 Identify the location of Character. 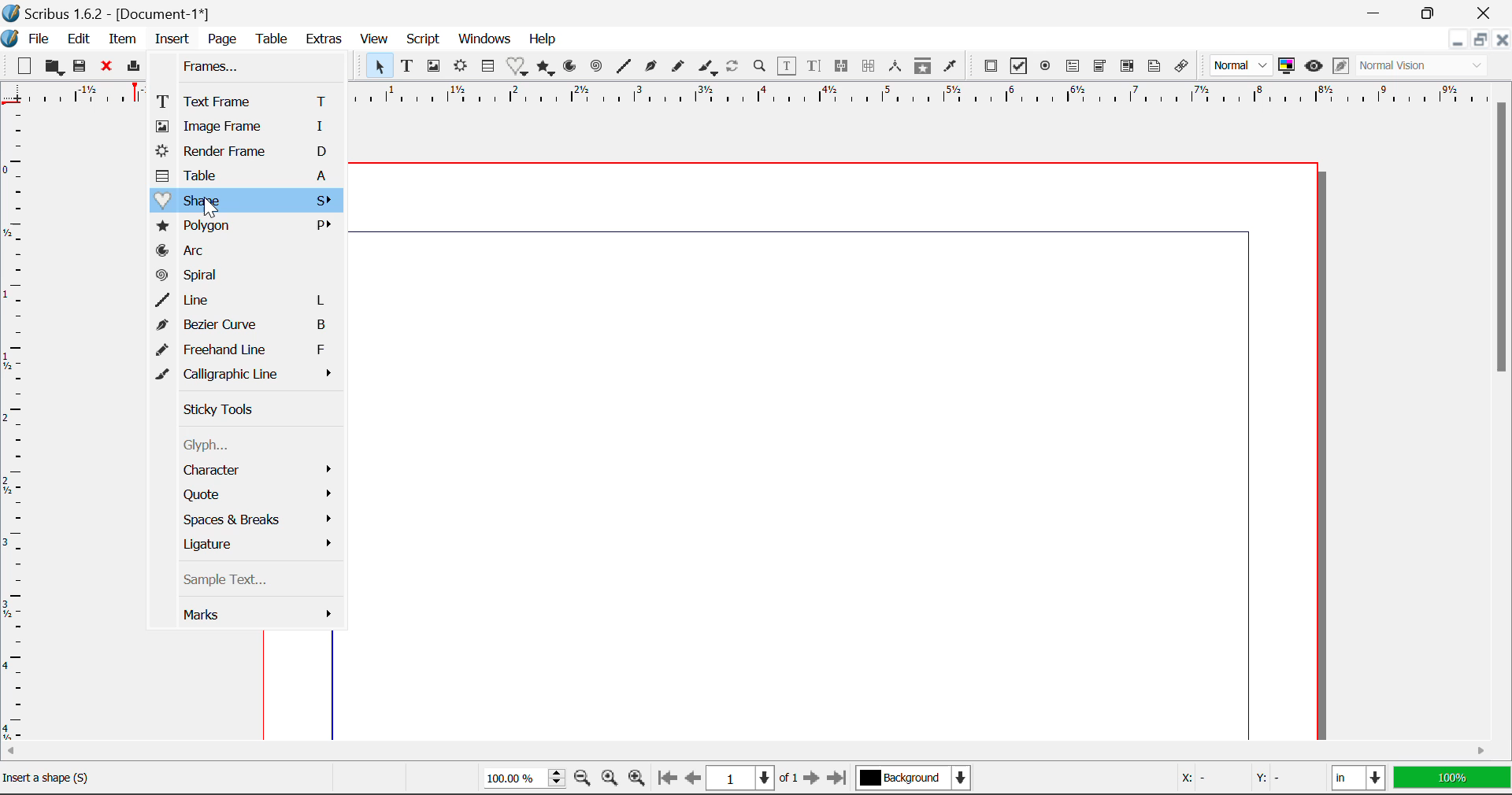
(251, 472).